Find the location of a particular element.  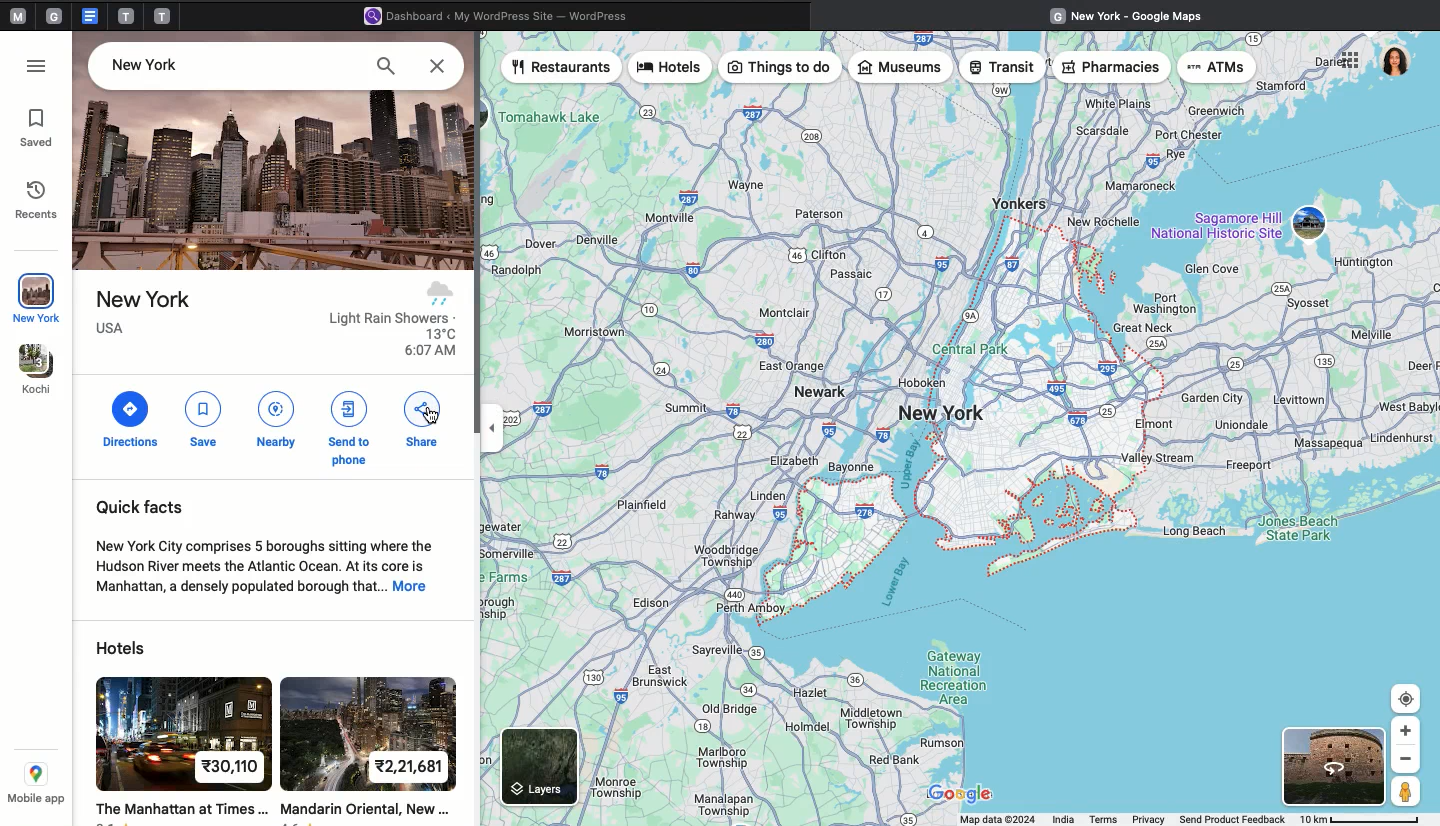

Wordpress is located at coordinates (504, 17).